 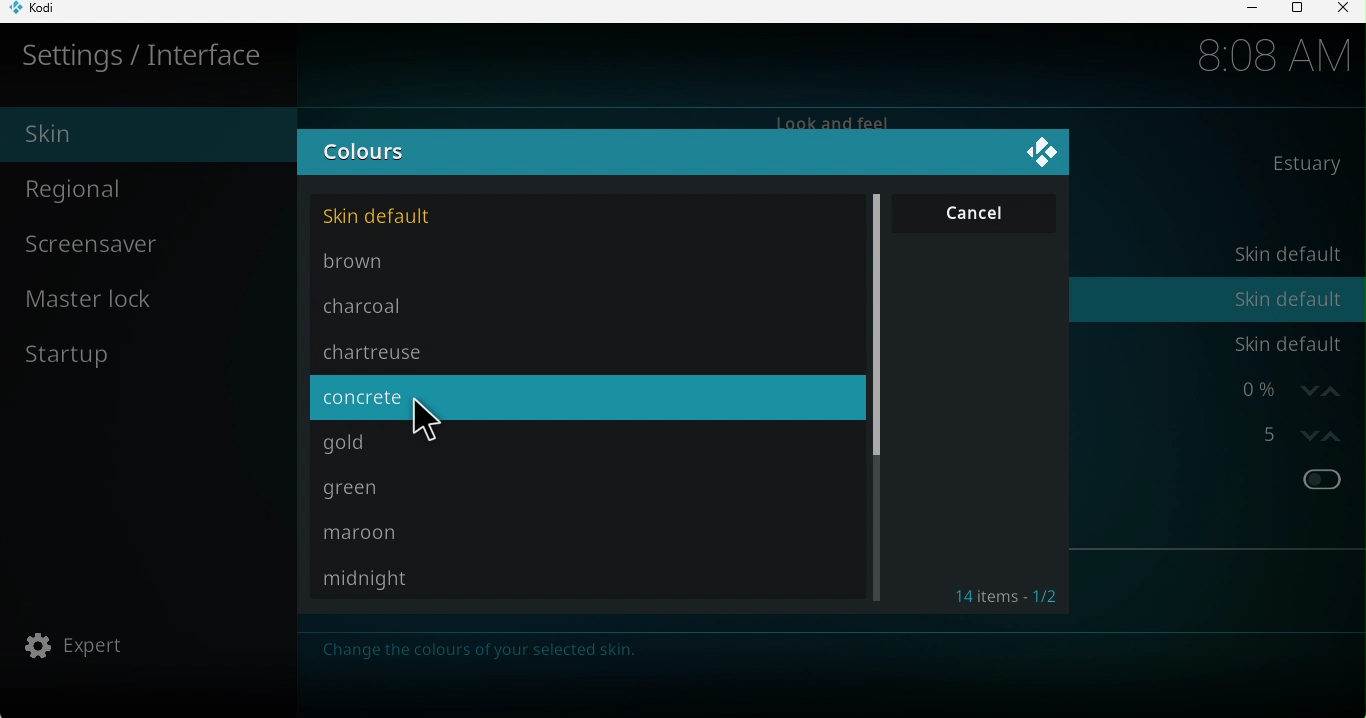 What do you see at coordinates (78, 352) in the screenshot?
I see `Start up` at bounding box center [78, 352].